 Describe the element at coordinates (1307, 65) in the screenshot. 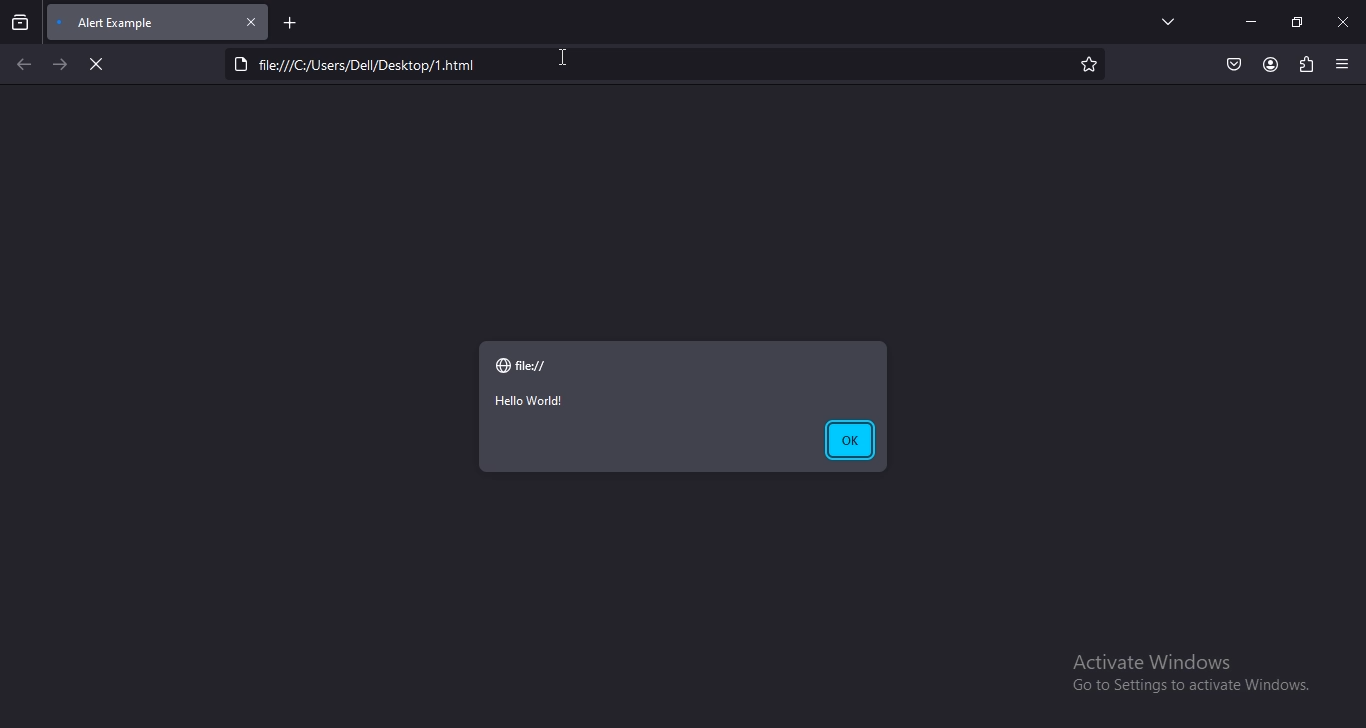

I see `extensions` at that location.